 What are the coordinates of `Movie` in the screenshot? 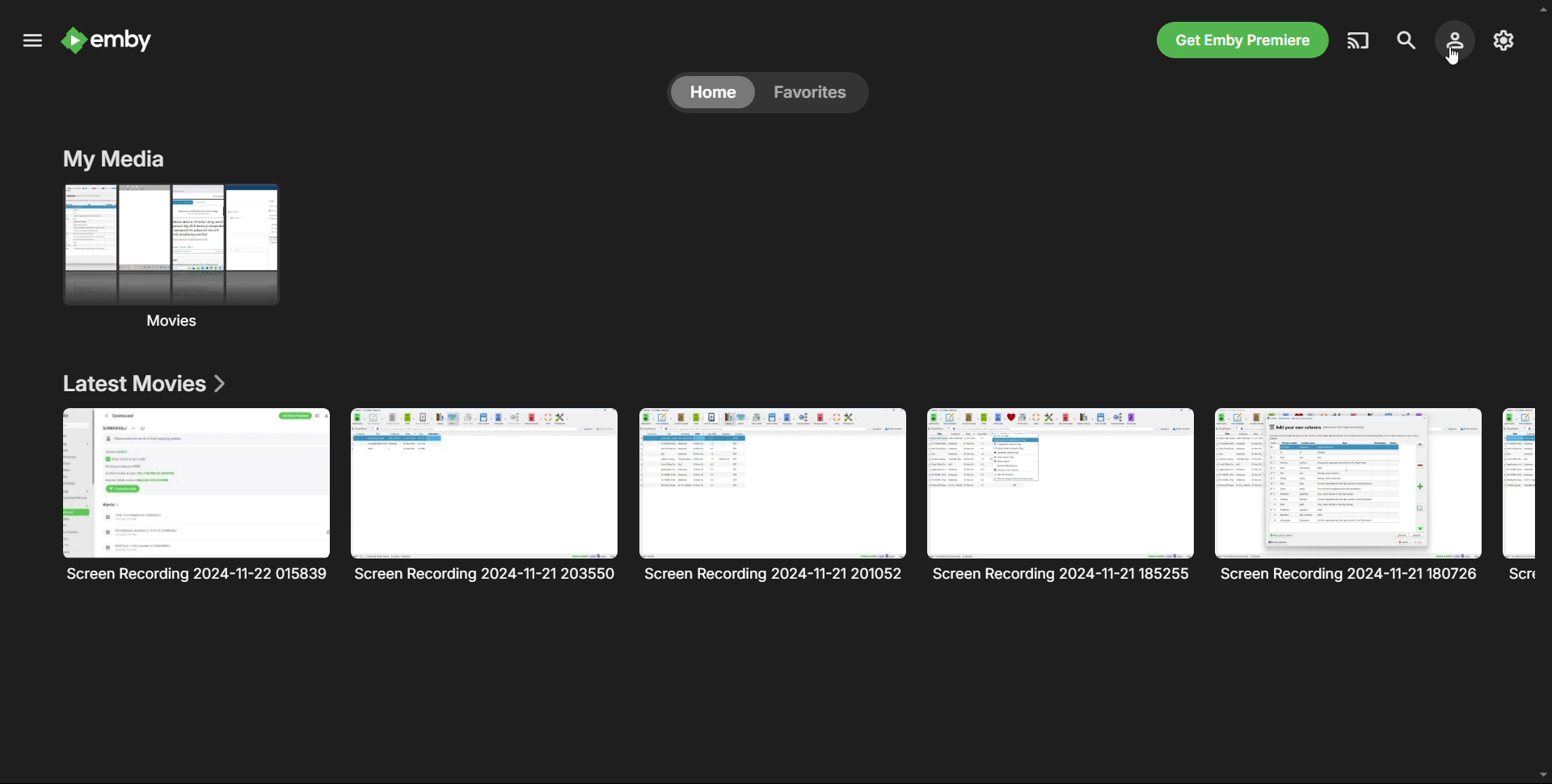 It's located at (1061, 494).